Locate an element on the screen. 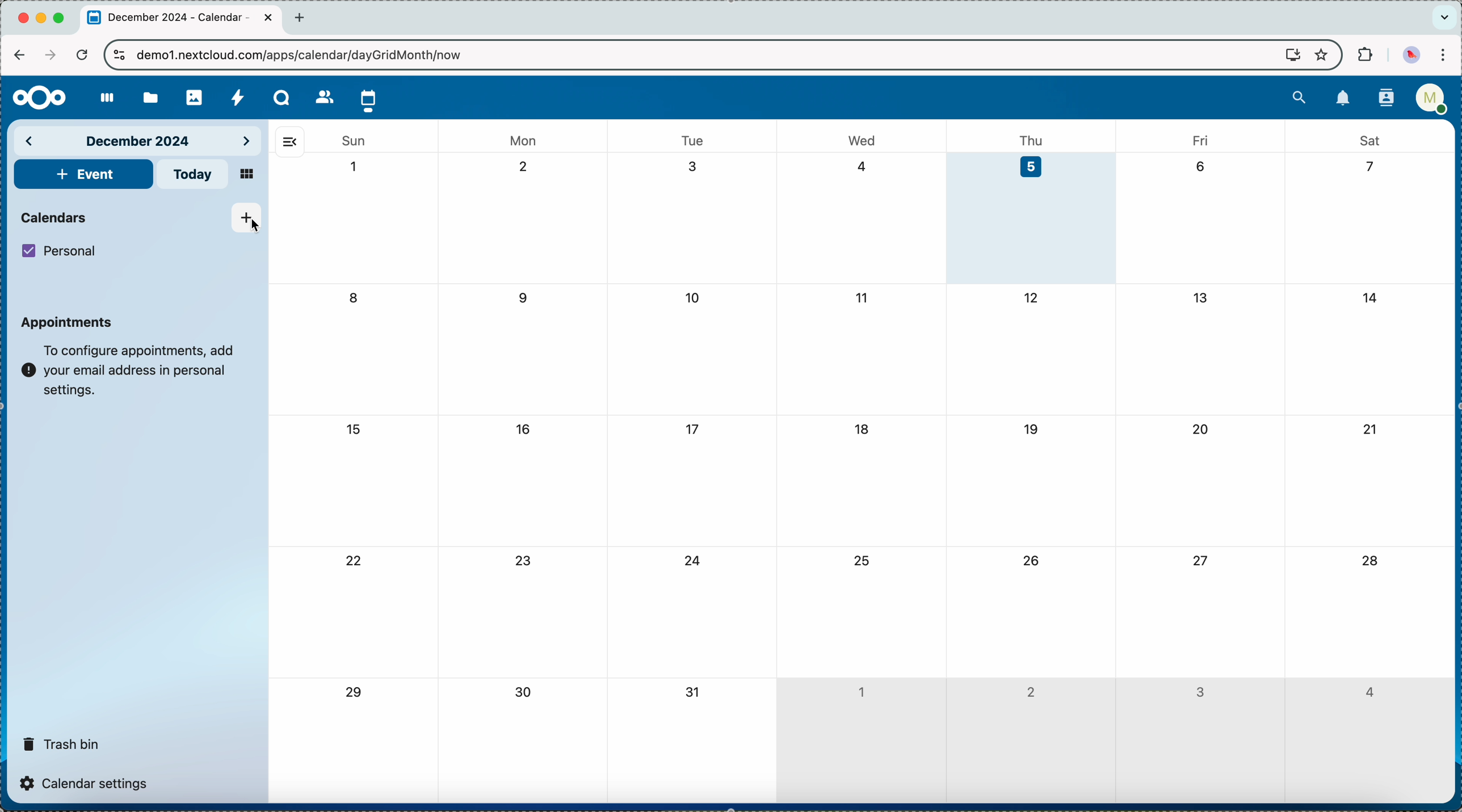 The height and width of the screenshot is (812, 1462). 24 is located at coordinates (694, 562).